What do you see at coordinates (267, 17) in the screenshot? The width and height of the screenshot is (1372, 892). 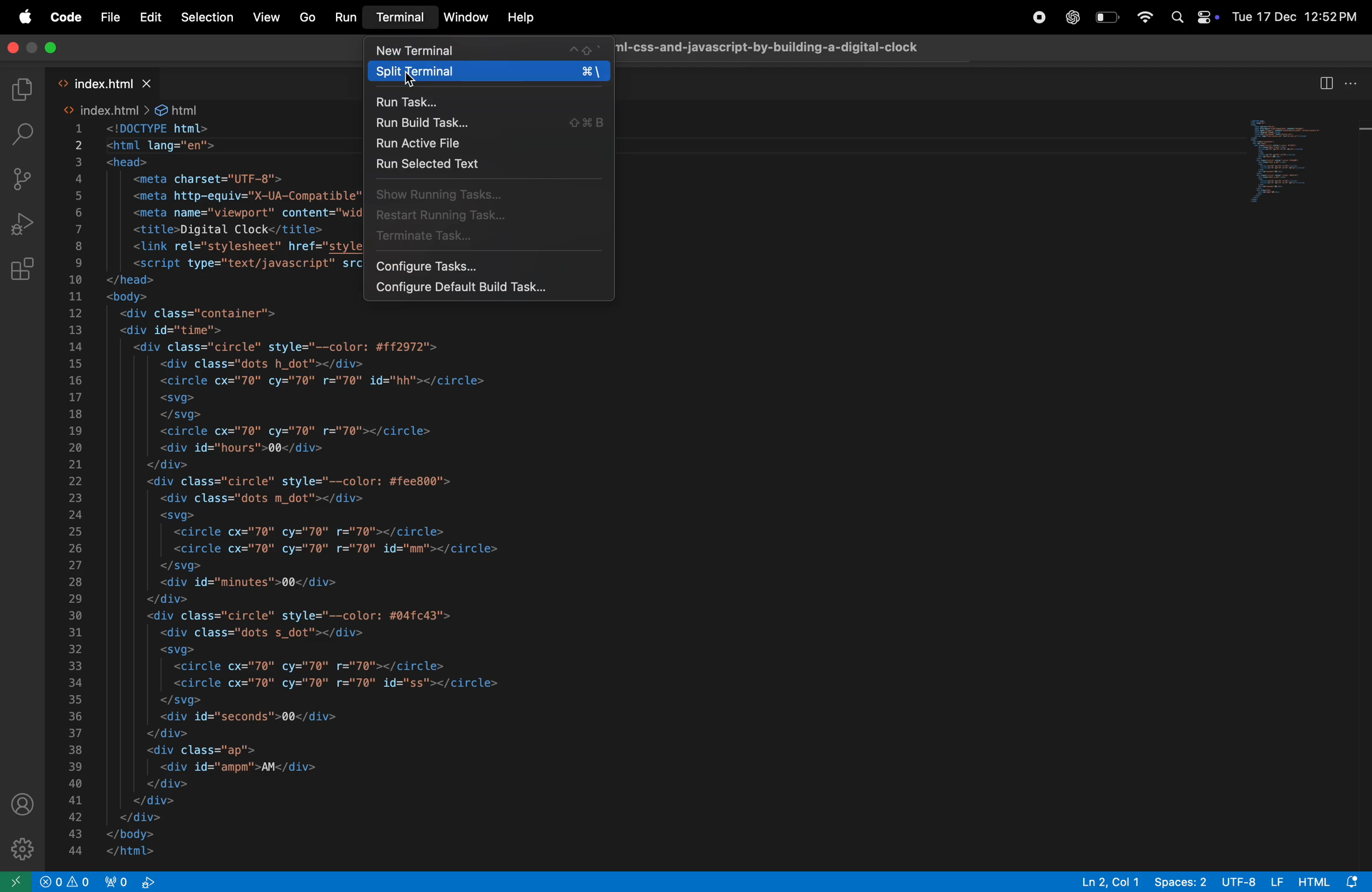 I see `View` at bounding box center [267, 17].